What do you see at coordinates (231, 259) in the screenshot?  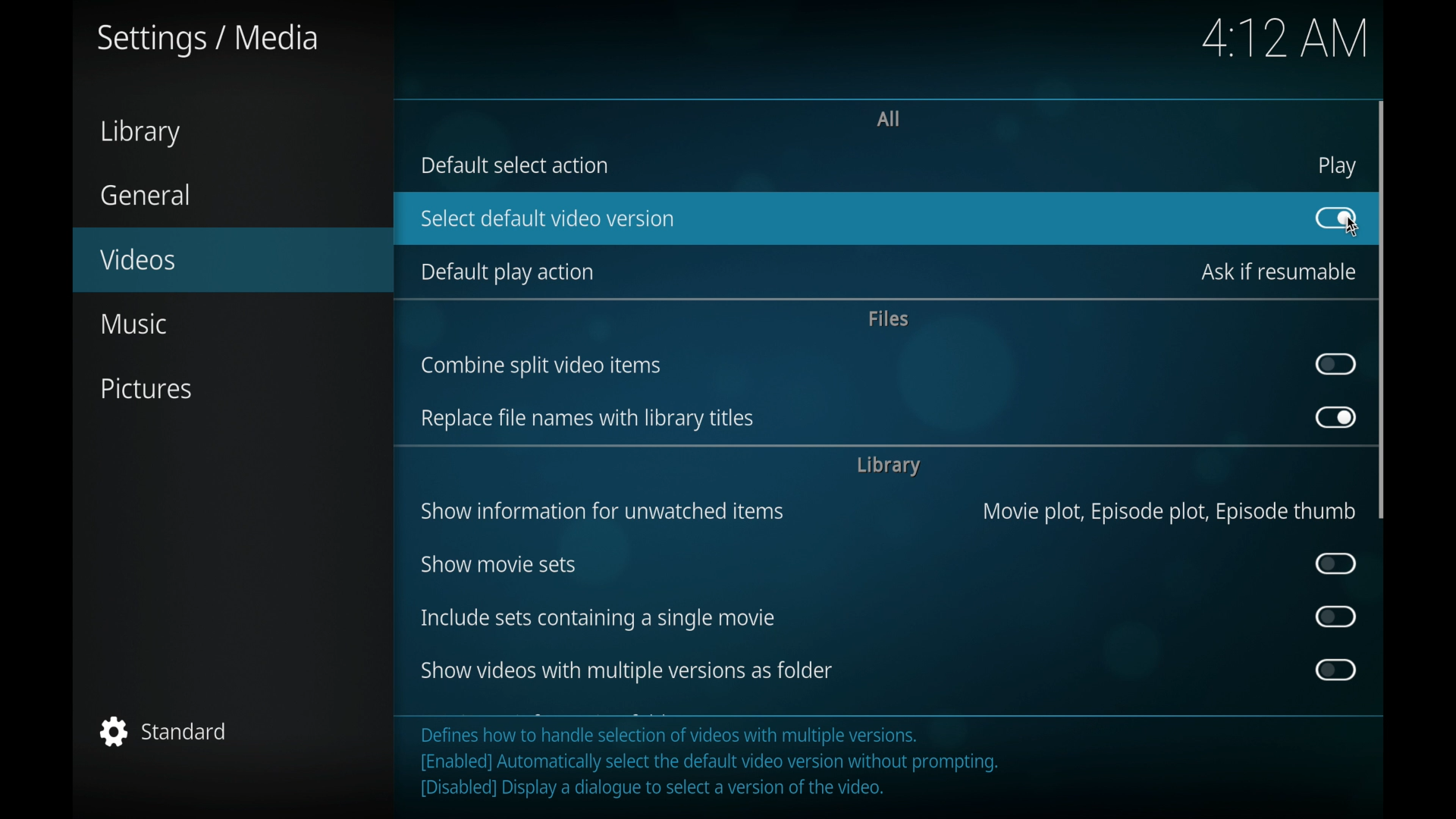 I see `videos` at bounding box center [231, 259].